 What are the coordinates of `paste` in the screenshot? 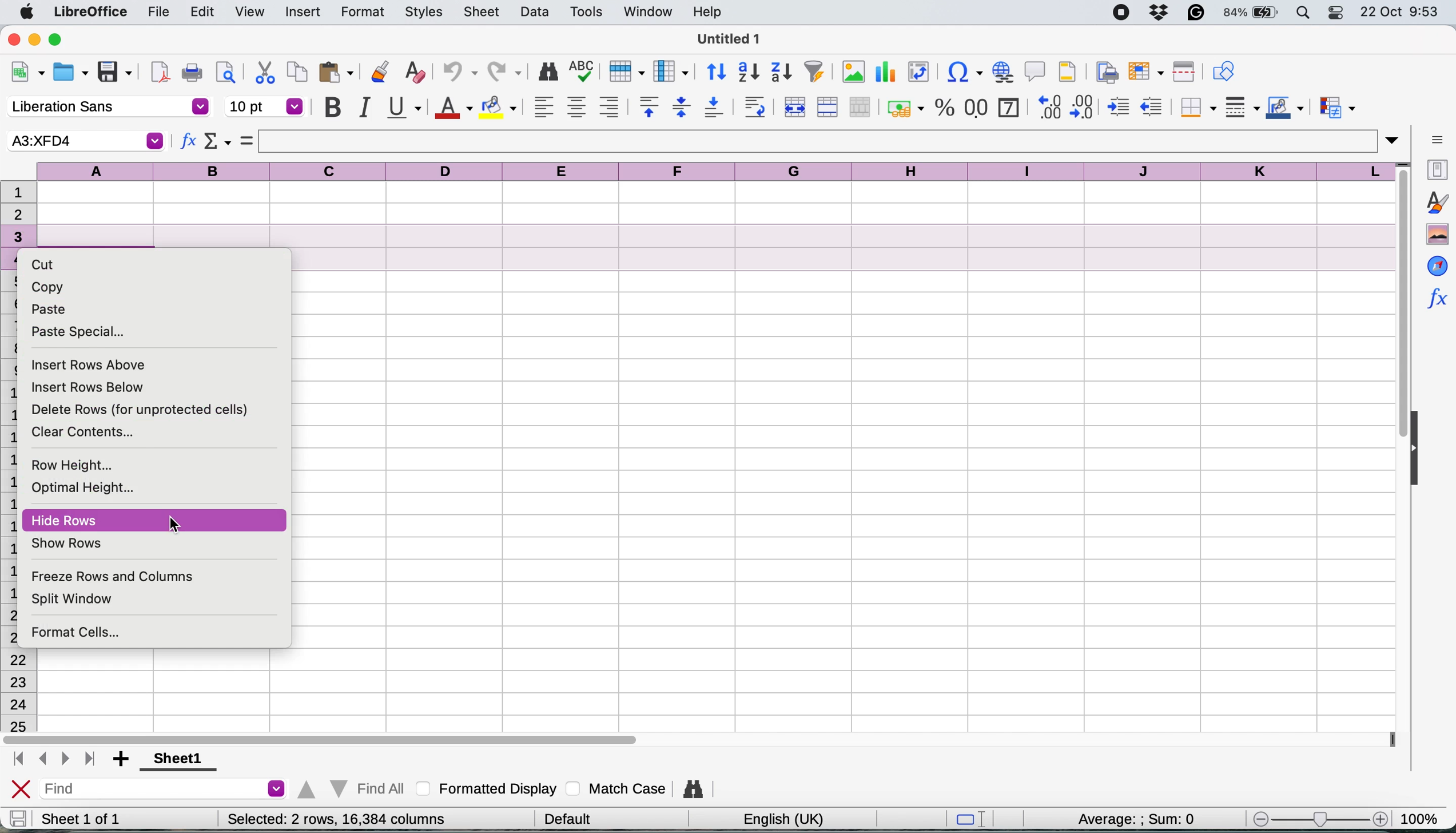 It's located at (49, 310).